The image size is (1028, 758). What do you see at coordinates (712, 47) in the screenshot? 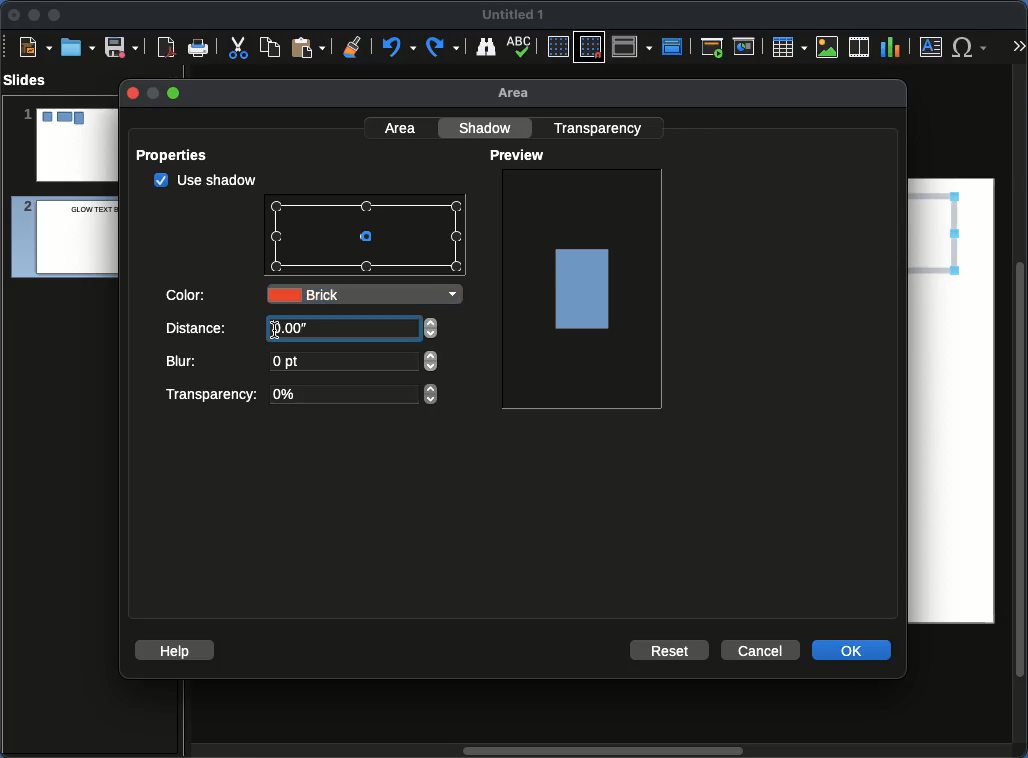
I see `First slide` at bounding box center [712, 47].